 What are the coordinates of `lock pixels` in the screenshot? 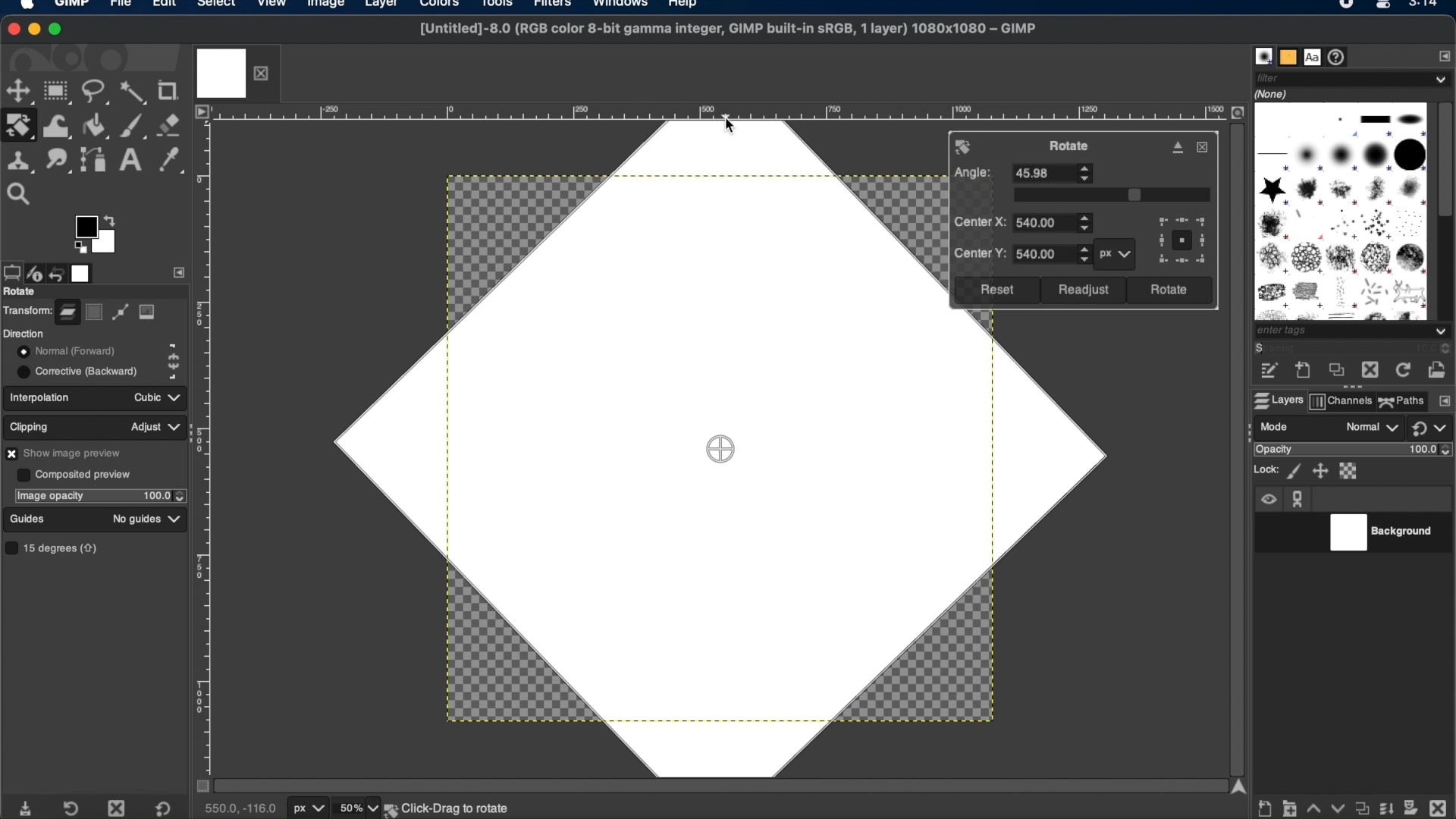 It's located at (1293, 471).